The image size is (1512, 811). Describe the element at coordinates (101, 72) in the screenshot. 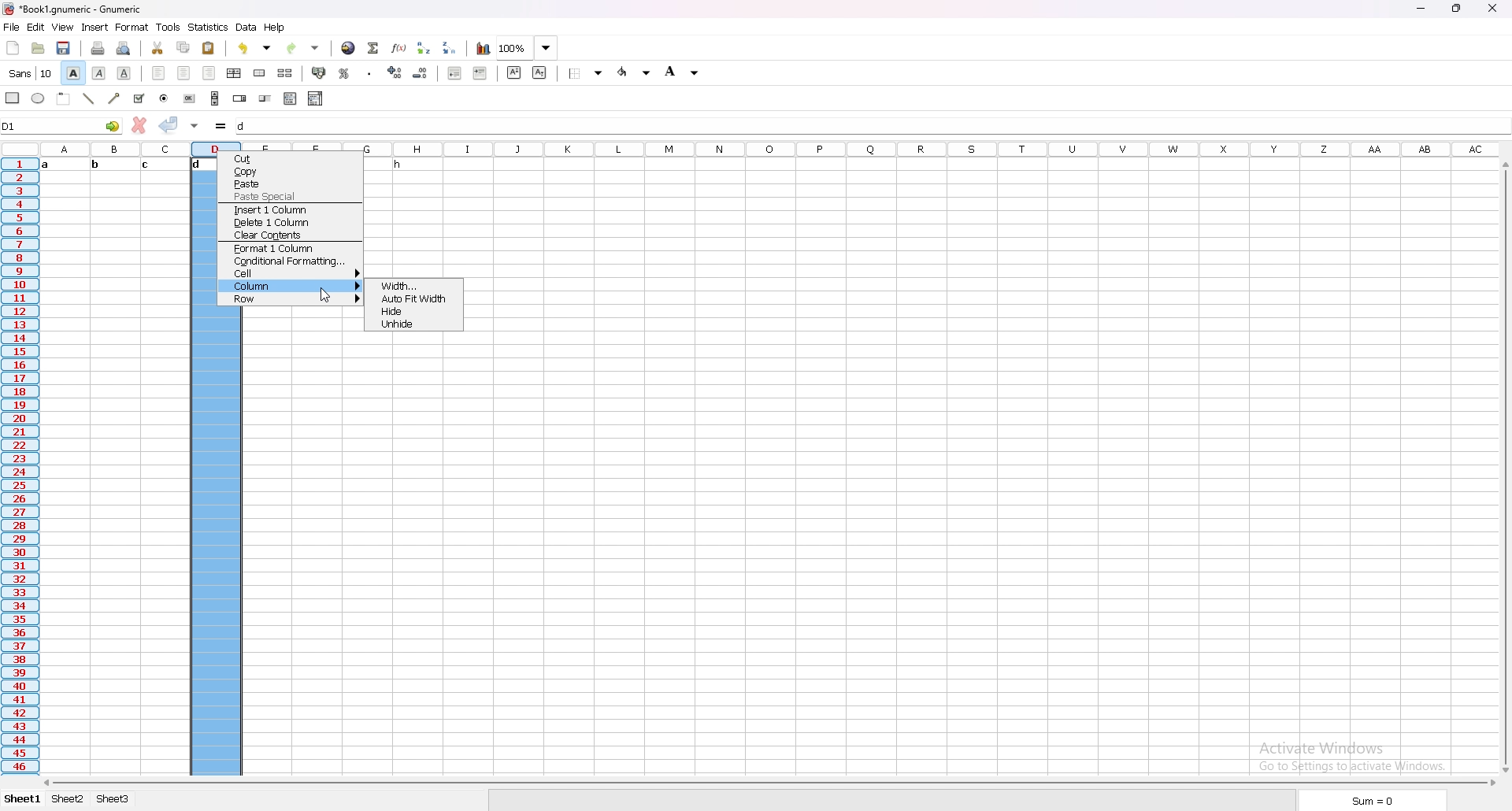

I see `italic` at that location.